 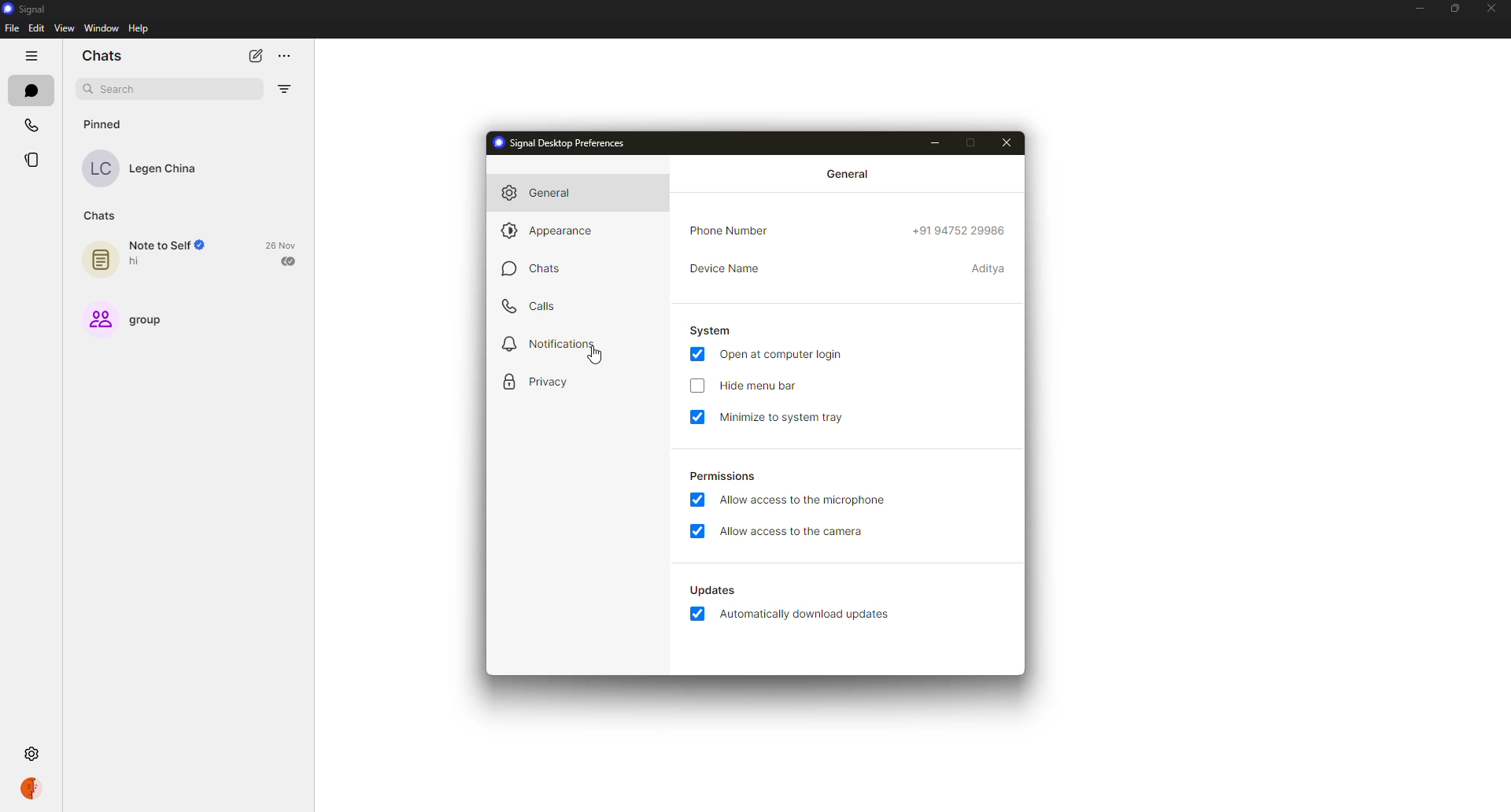 I want to click on stories, so click(x=34, y=161).